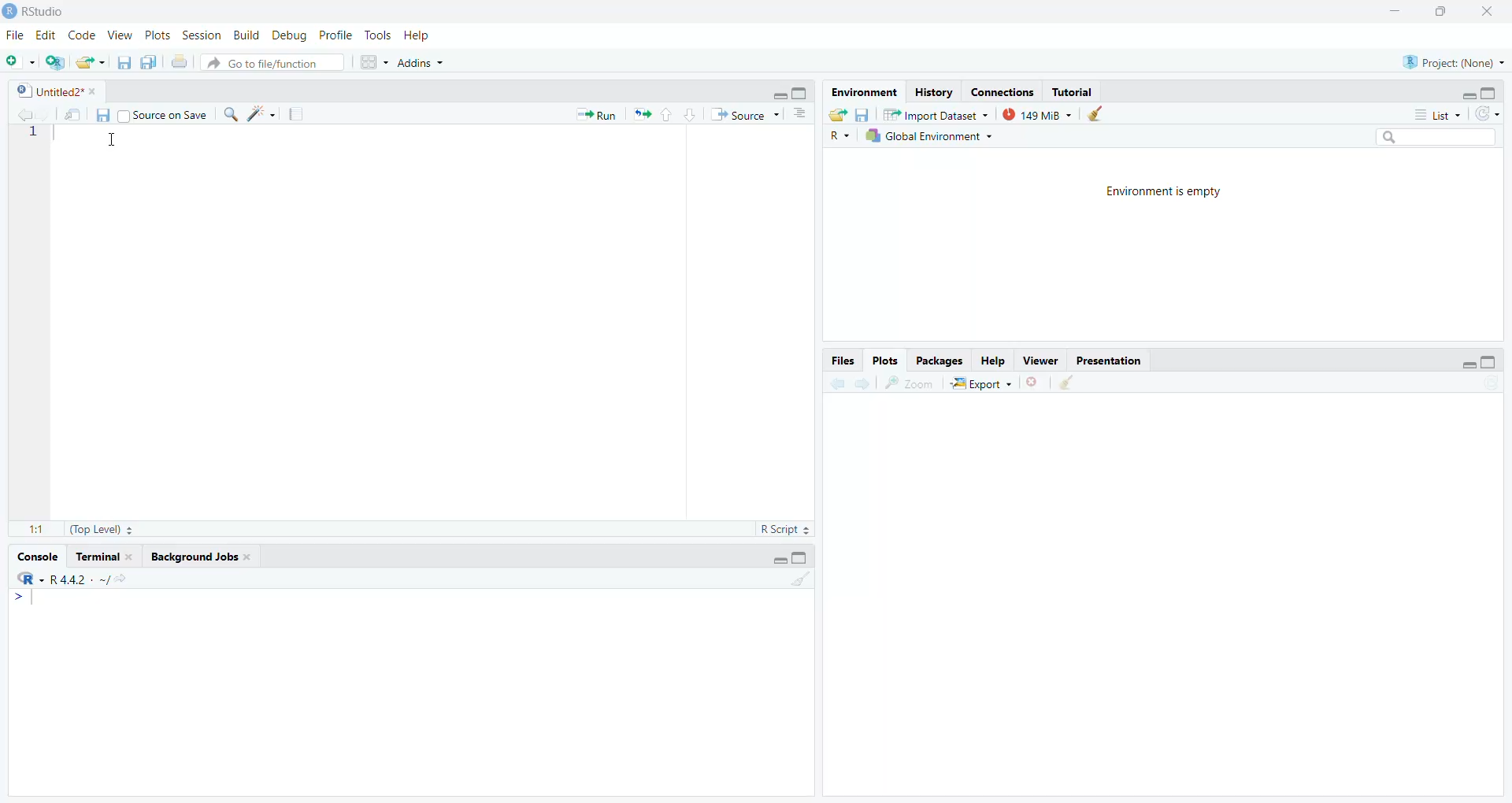 The image size is (1512, 803). What do you see at coordinates (1468, 95) in the screenshot?
I see `Minimize` at bounding box center [1468, 95].